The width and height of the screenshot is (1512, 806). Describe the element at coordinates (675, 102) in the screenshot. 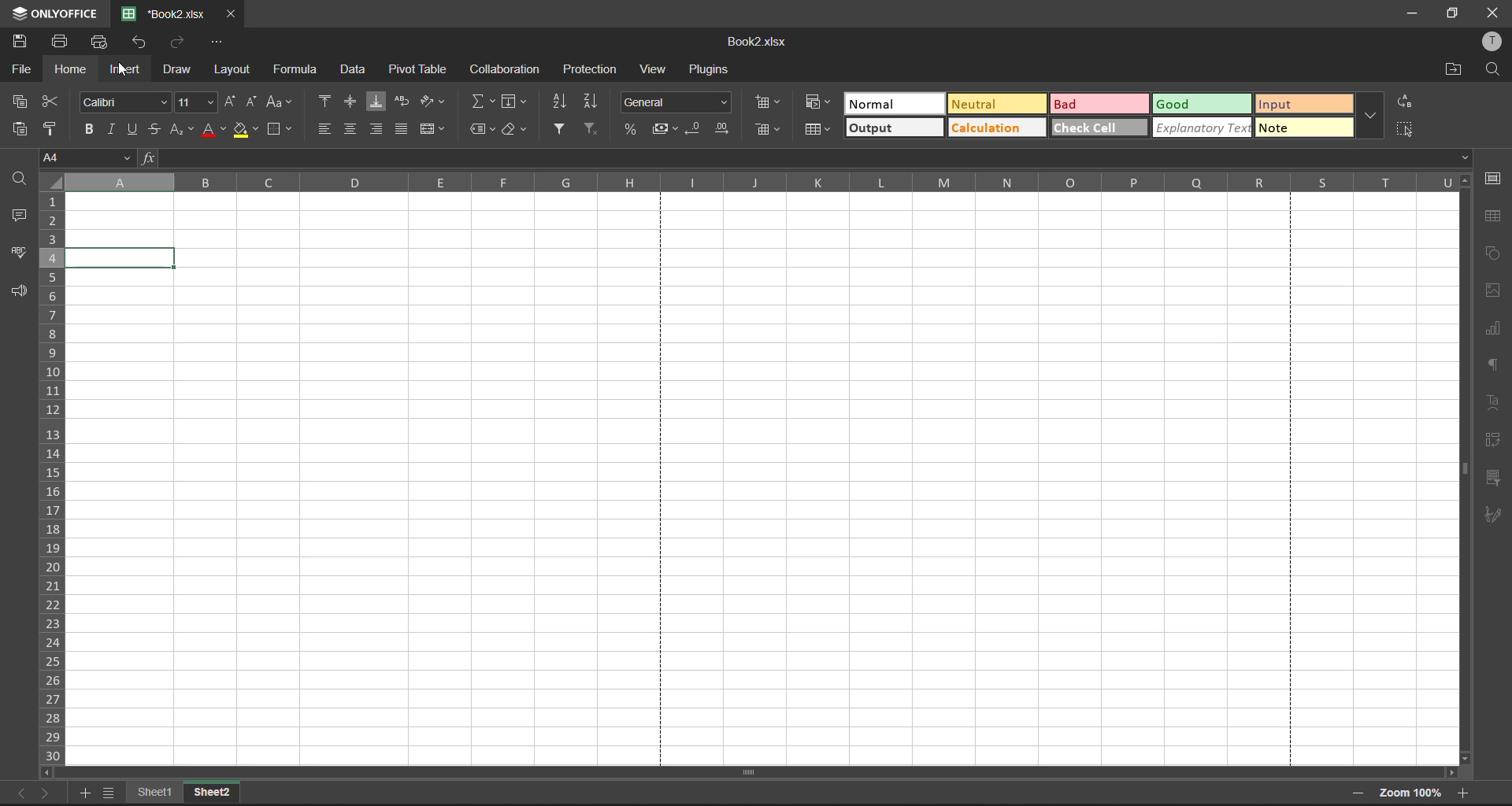

I see `number format` at that location.